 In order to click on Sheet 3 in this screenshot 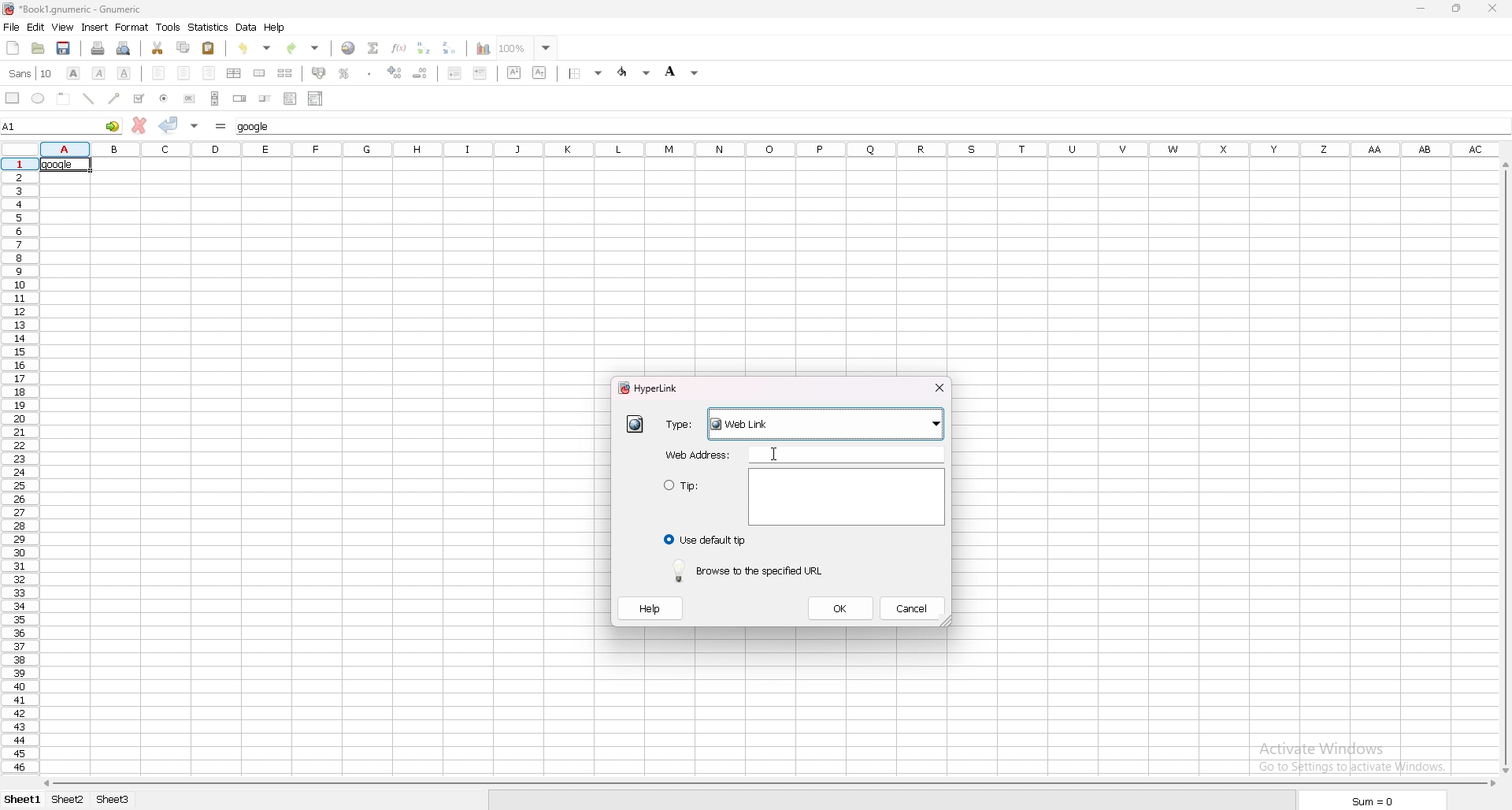, I will do `click(143, 802)`.